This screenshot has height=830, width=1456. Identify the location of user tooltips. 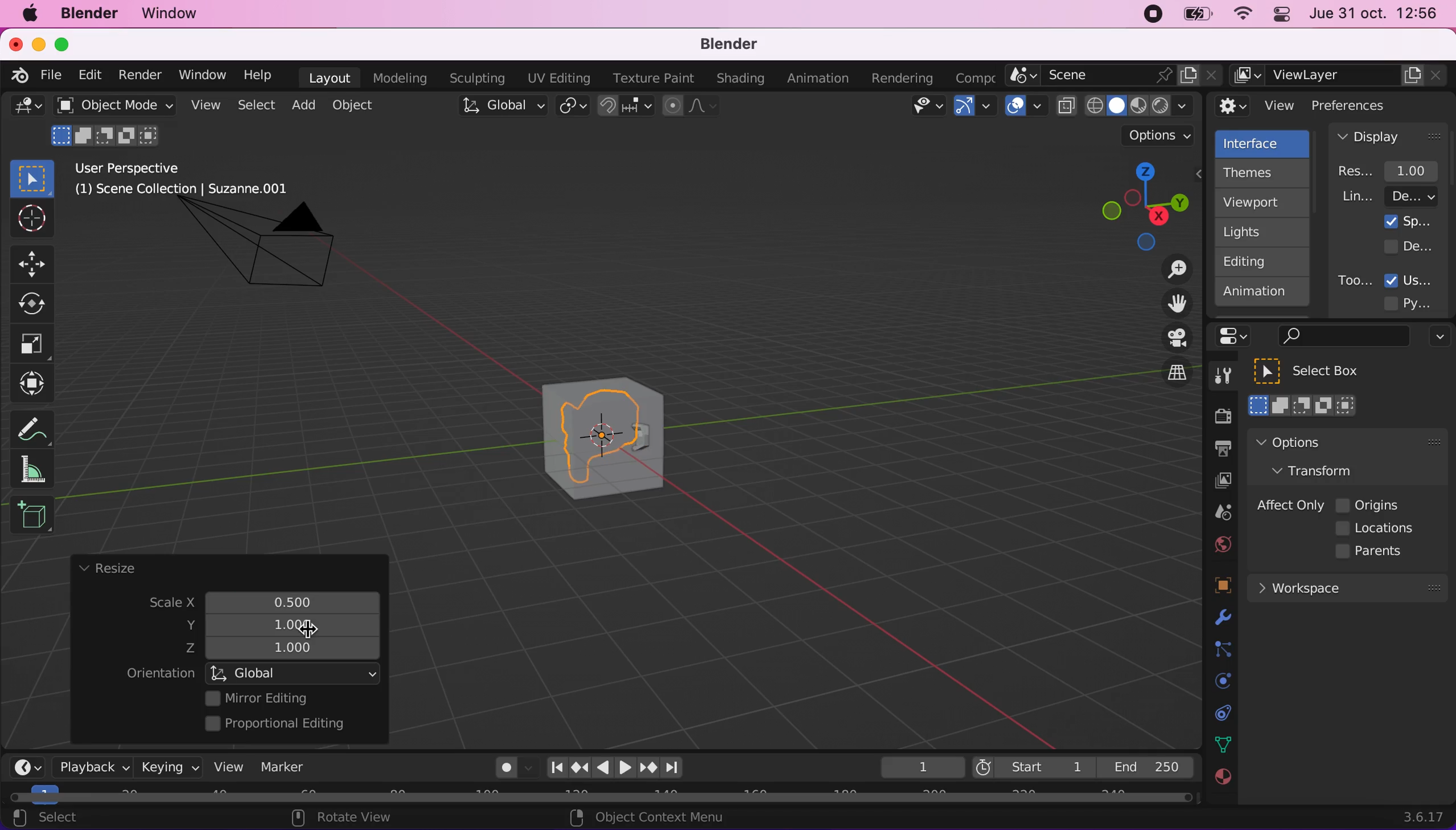
(1418, 279).